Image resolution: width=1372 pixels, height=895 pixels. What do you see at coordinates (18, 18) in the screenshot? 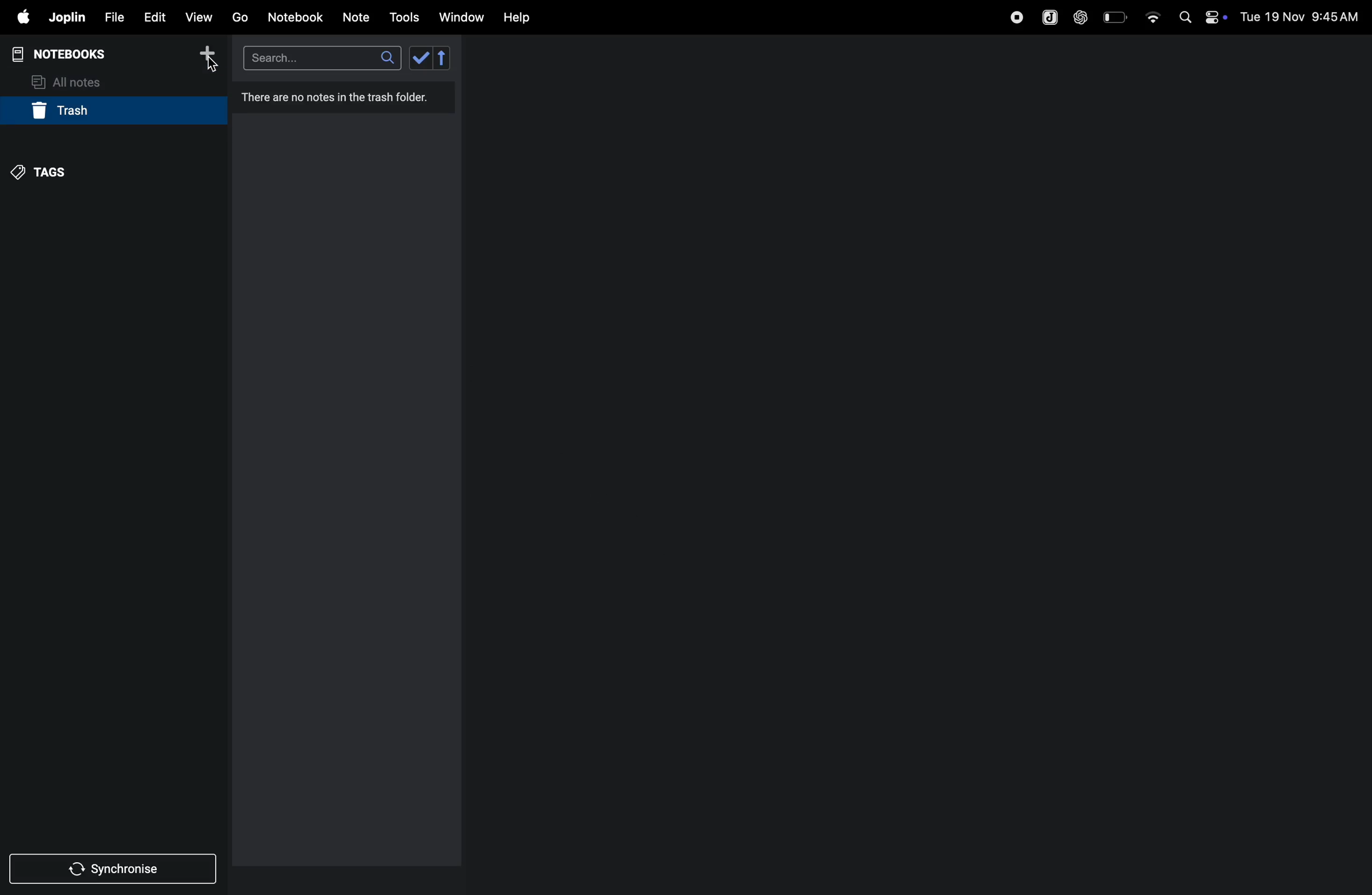
I see `apple menu` at bounding box center [18, 18].